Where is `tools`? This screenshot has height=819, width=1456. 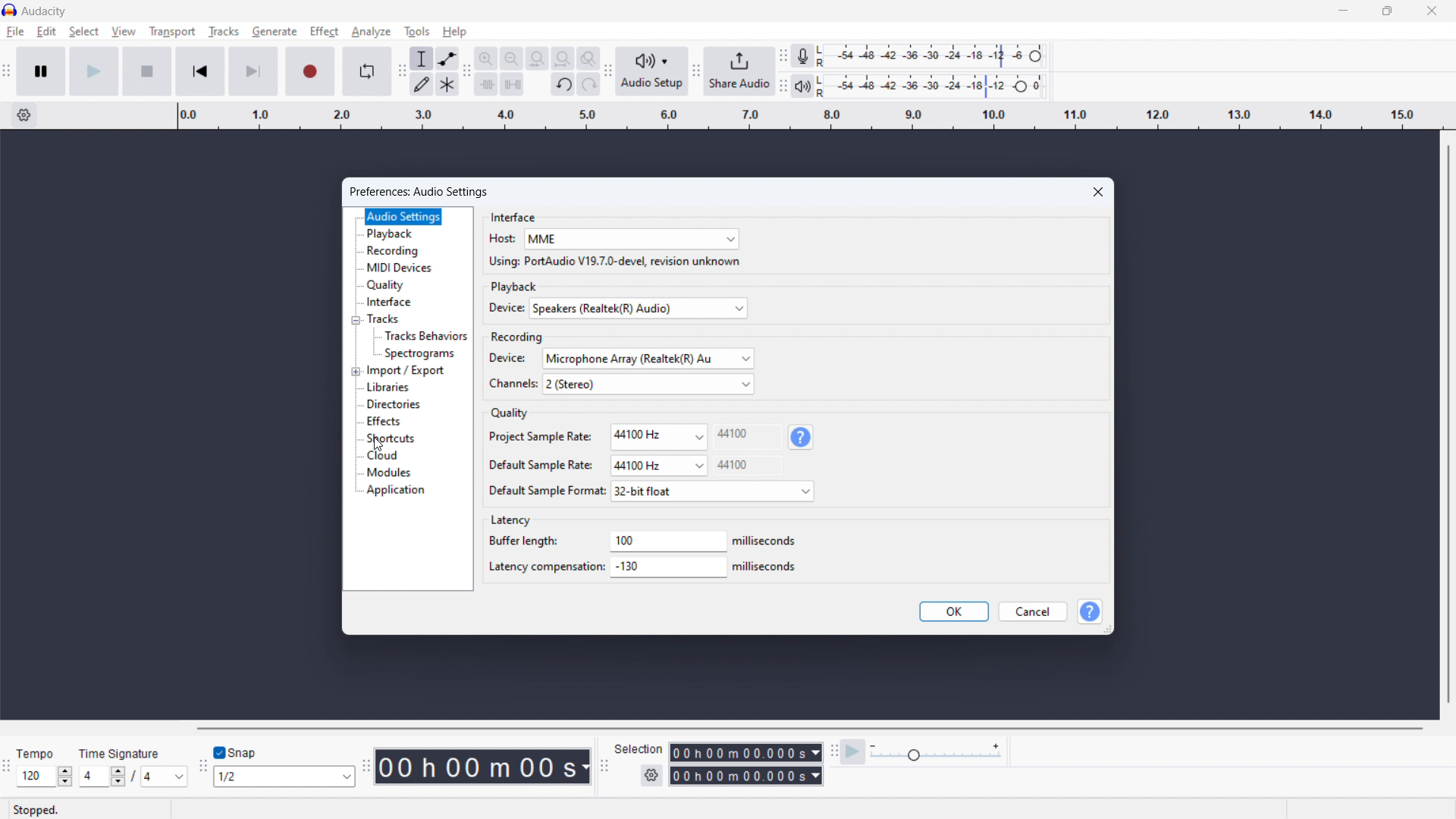 tools is located at coordinates (416, 31).